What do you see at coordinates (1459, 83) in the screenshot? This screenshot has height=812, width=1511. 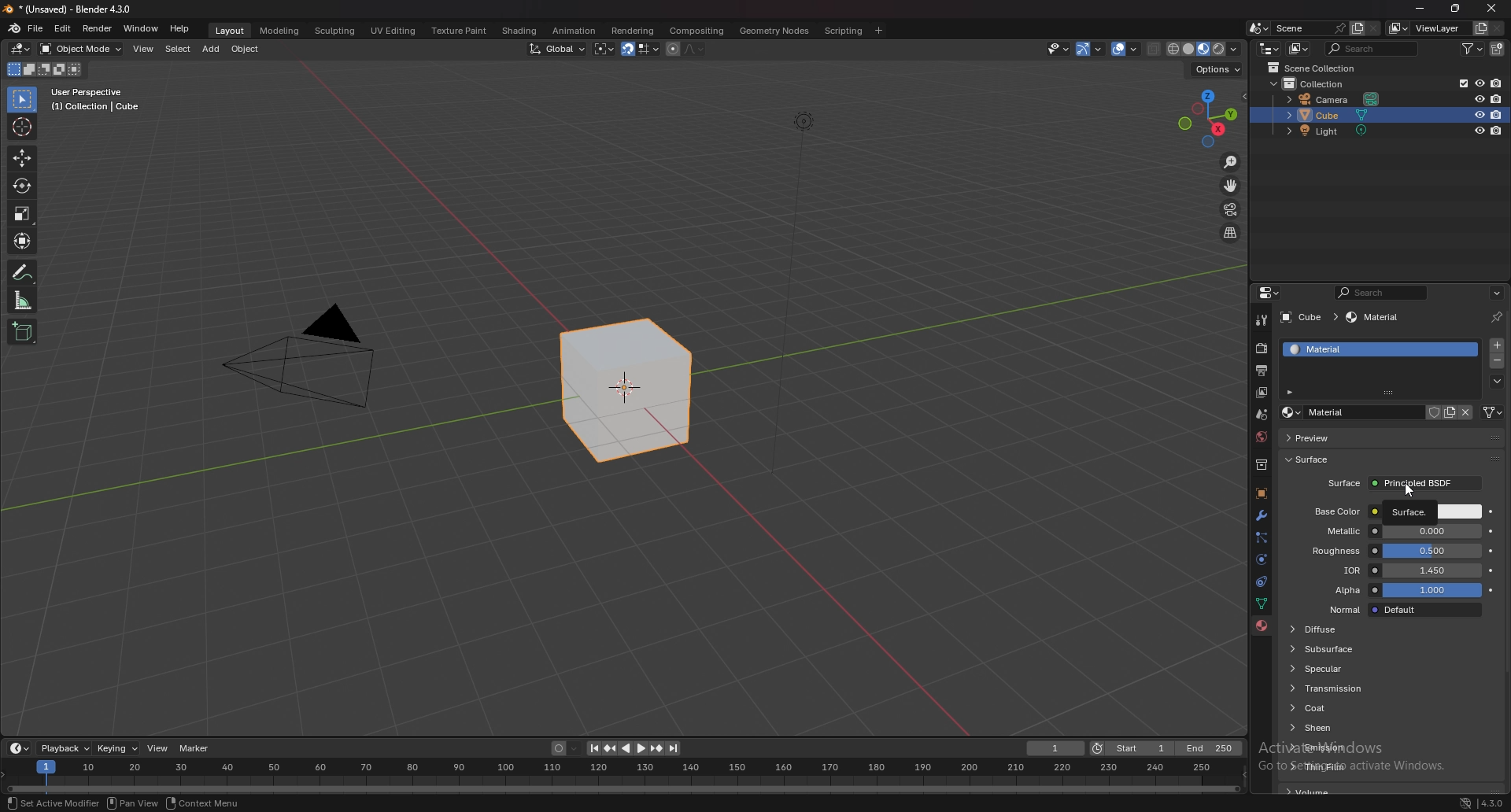 I see `exclude from view layer` at bounding box center [1459, 83].